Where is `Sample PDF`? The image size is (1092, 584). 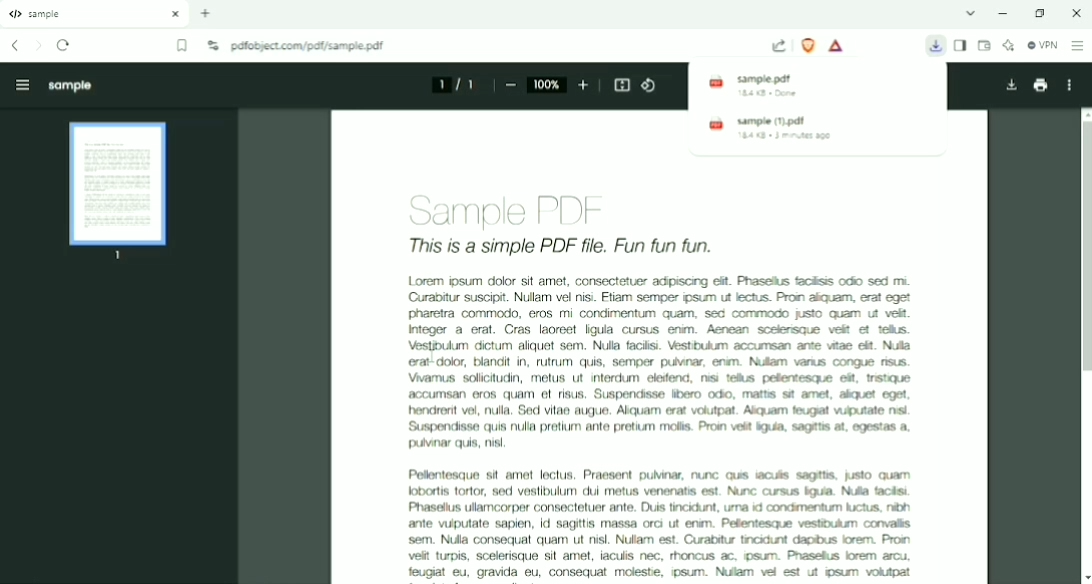 Sample PDF is located at coordinates (511, 204).